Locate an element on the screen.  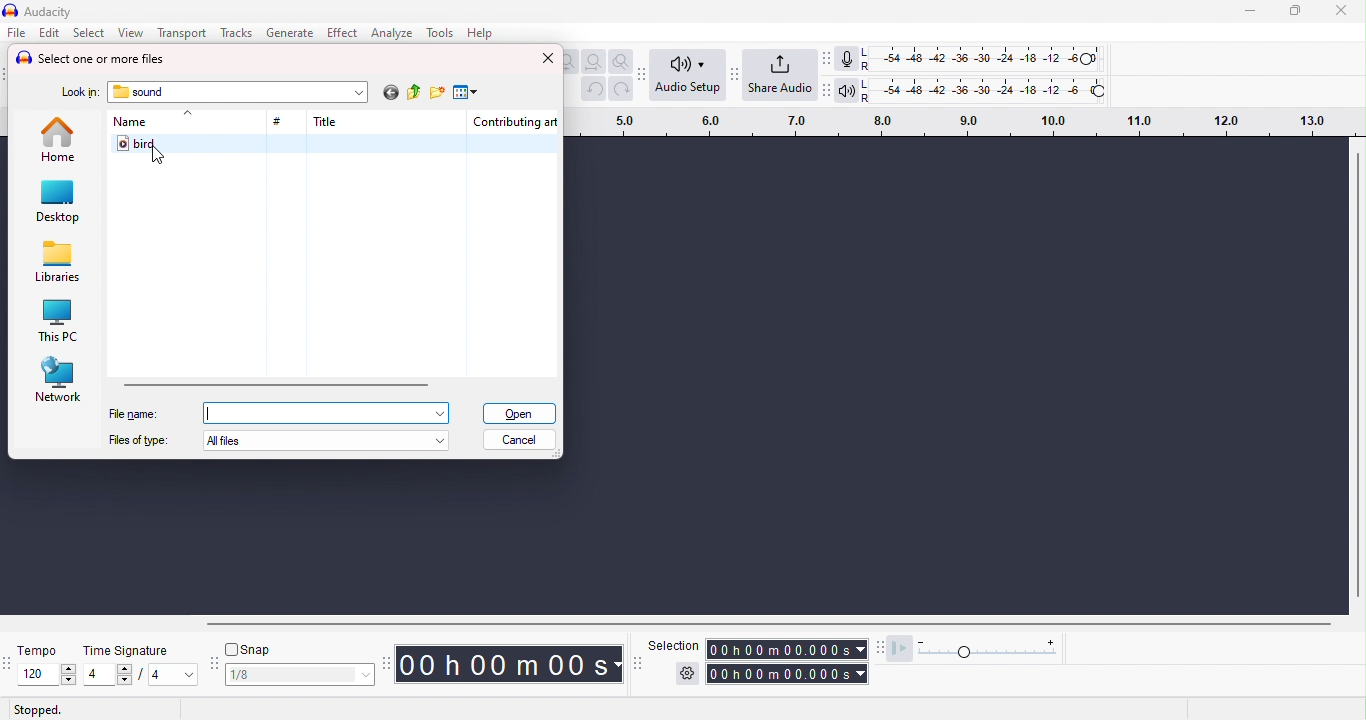
folder name is located at coordinates (141, 92).